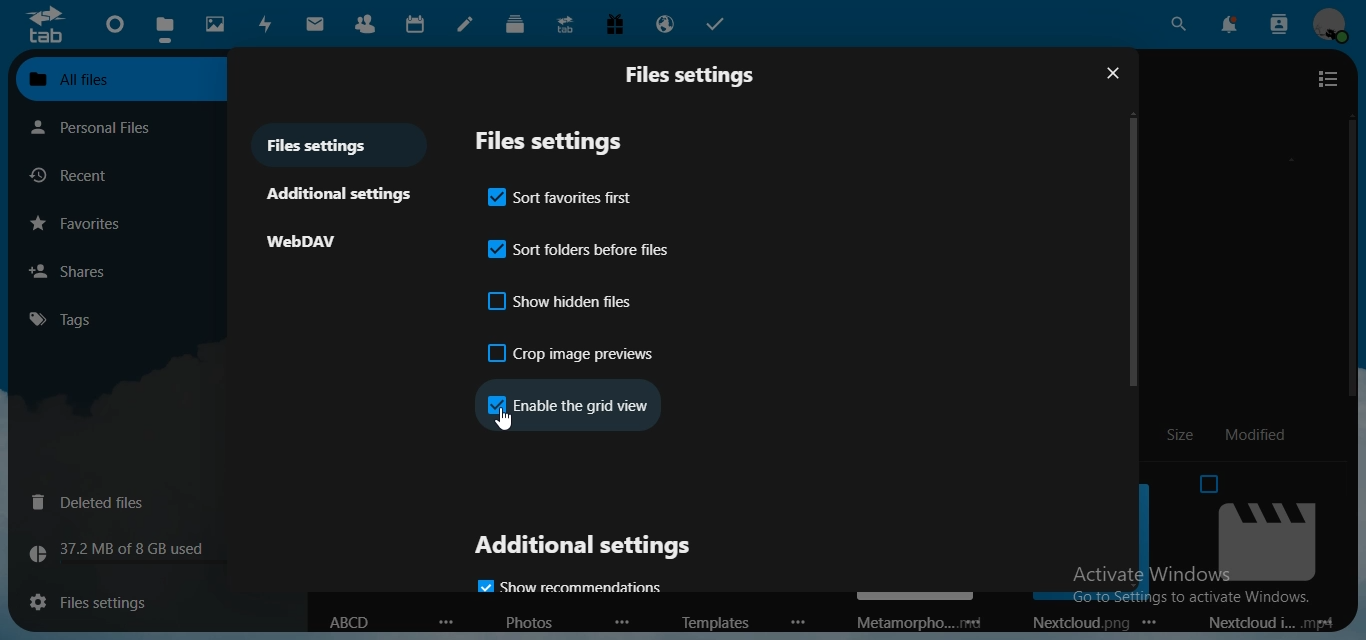  What do you see at coordinates (447, 620) in the screenshot?
I see `moreoptions` at bounding box center [447, 620].